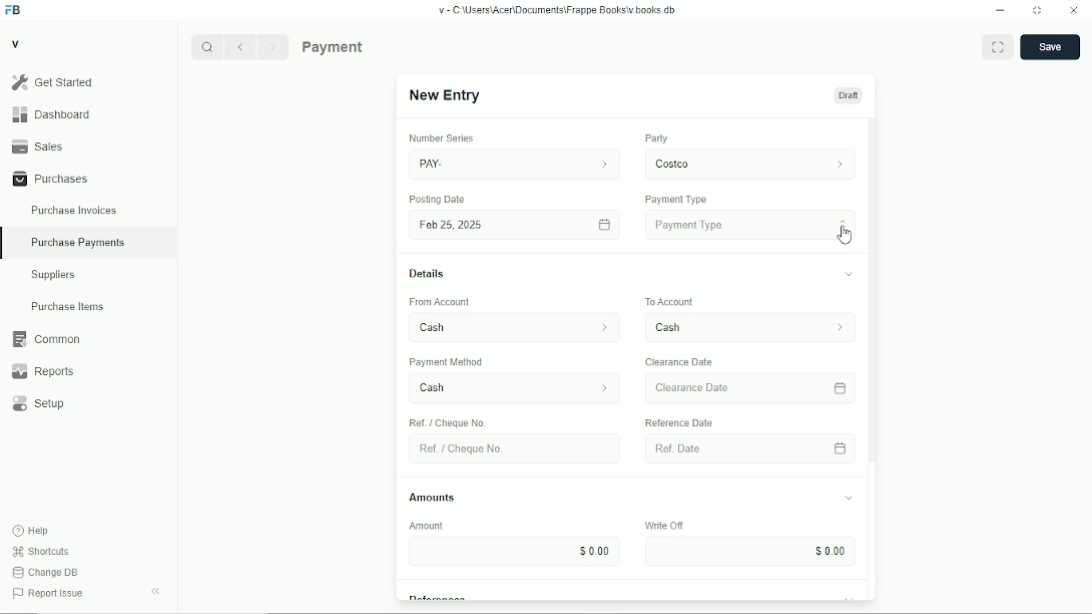 The image size is (1092, 614). I want to click on To Account, so click(667, 300).